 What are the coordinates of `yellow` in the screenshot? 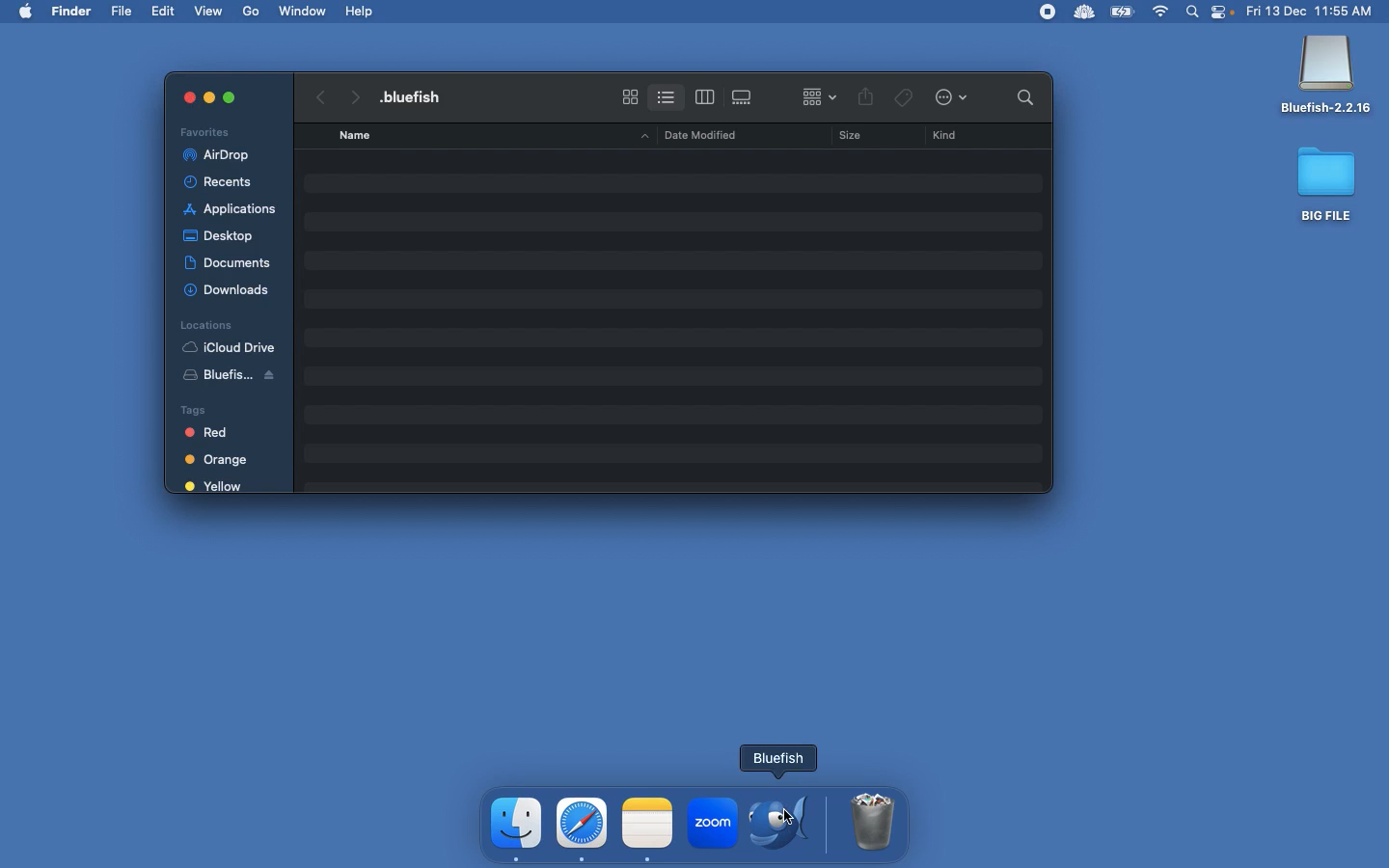 It's located at (215, 487).